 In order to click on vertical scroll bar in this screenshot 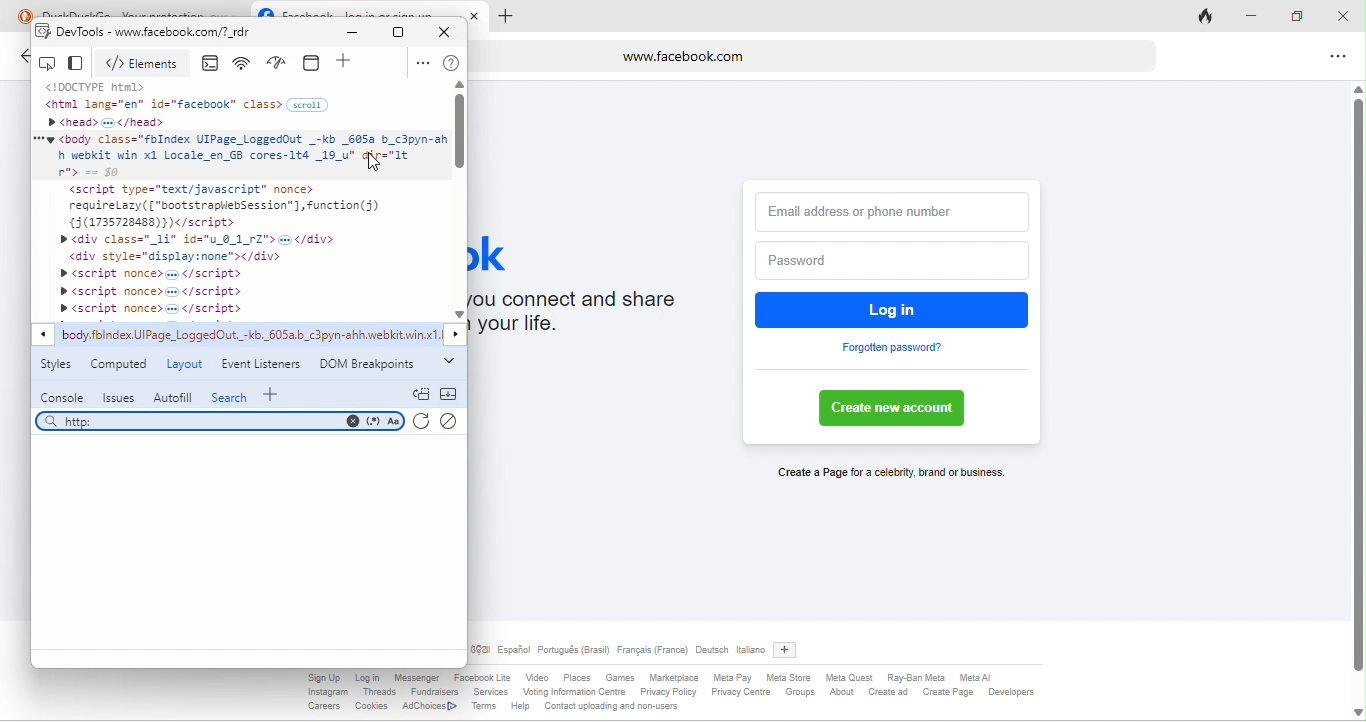, I will do `click(461, 133)`.